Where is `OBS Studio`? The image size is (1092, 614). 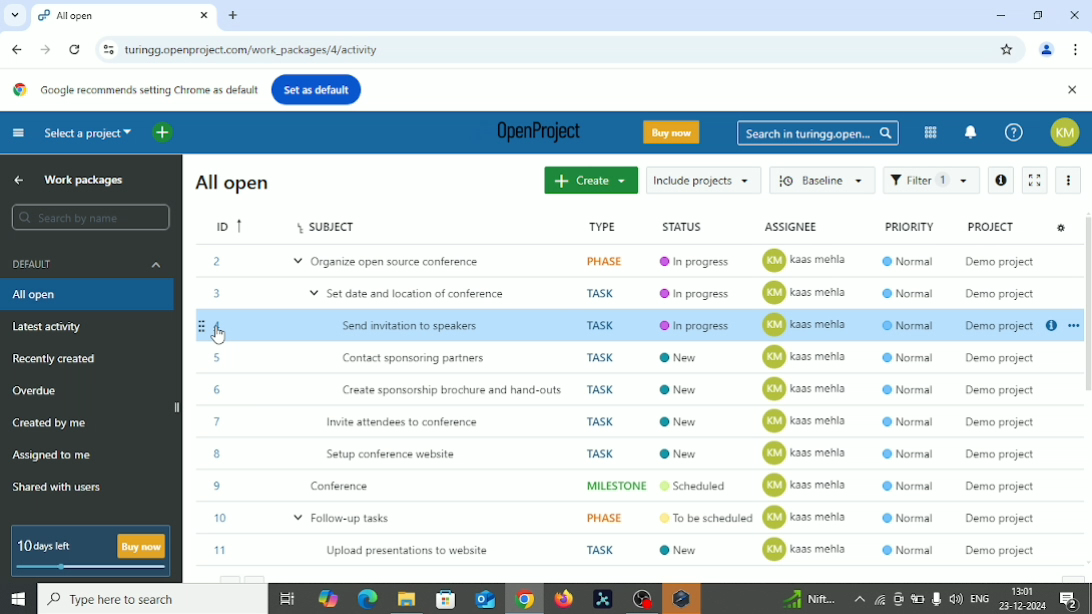 OBS Studio is located at coordinates (640, 599).